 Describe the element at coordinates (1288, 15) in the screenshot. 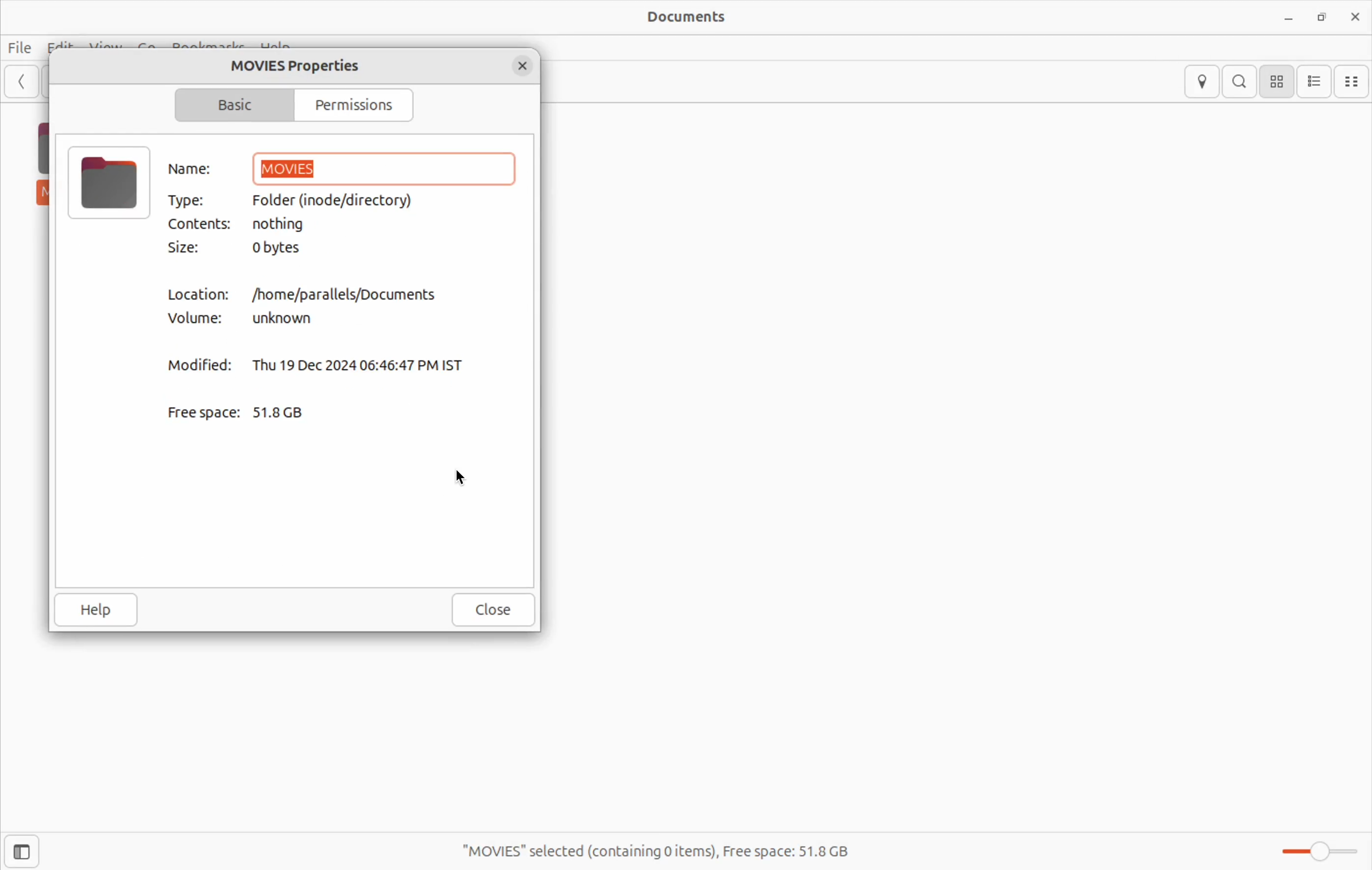

I see `minimize` at that location.